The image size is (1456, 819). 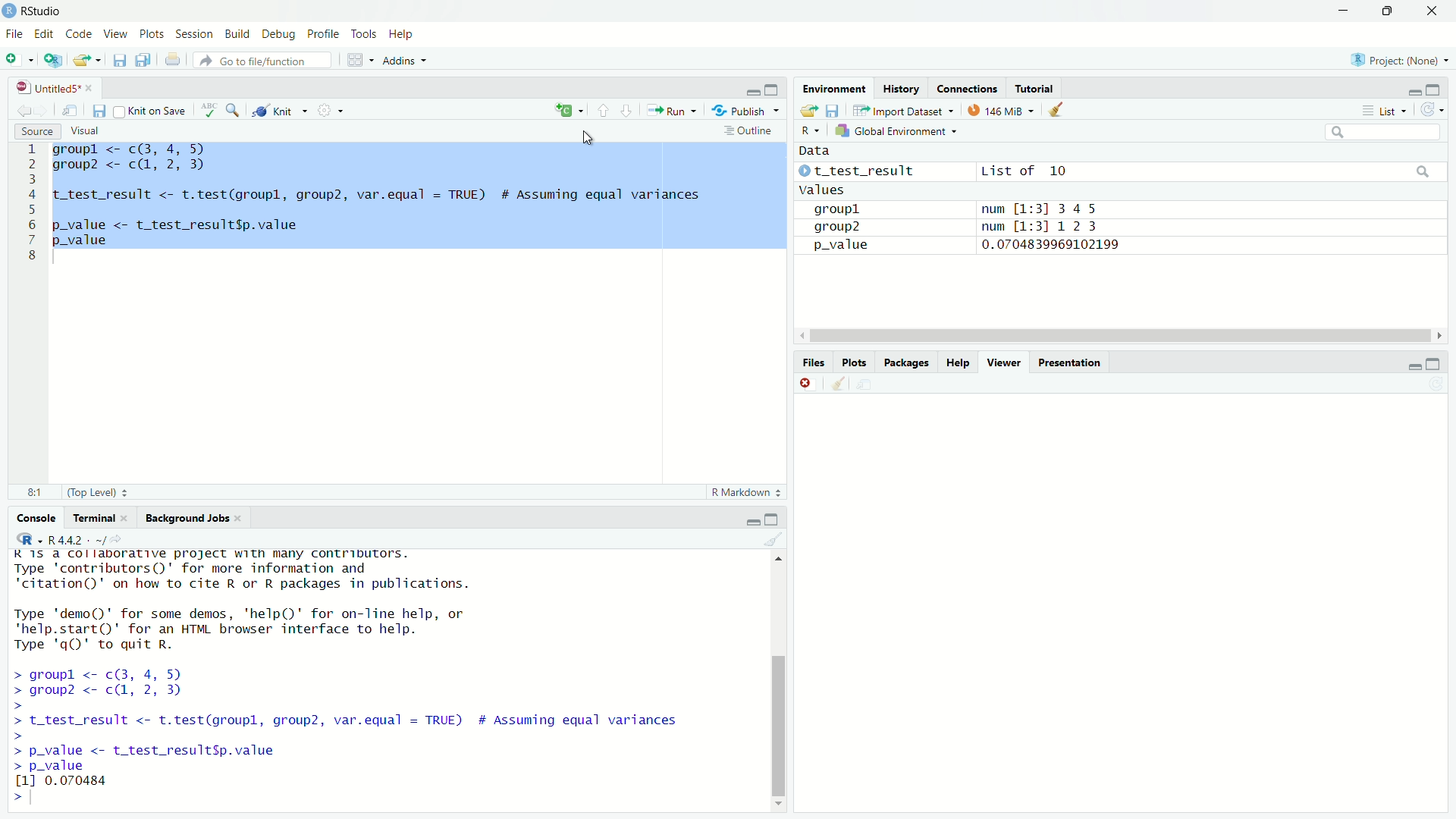 What do you see at coordinates (1381, 109) in the screenshot?
I see `List ~` at bounding box center [1381, 109].